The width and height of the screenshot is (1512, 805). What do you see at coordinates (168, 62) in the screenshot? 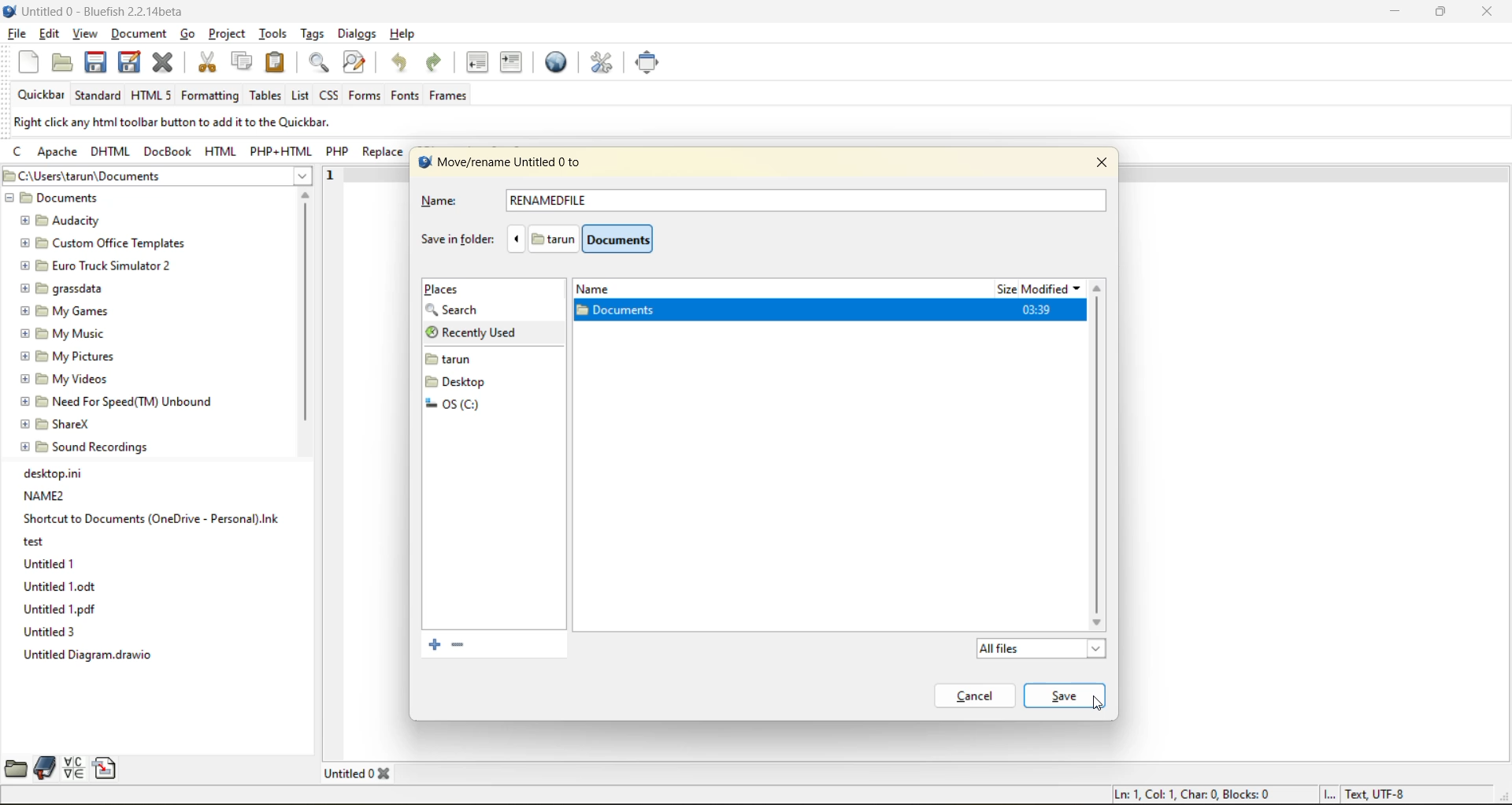
I see `close file` at bounding box center [168, 62].